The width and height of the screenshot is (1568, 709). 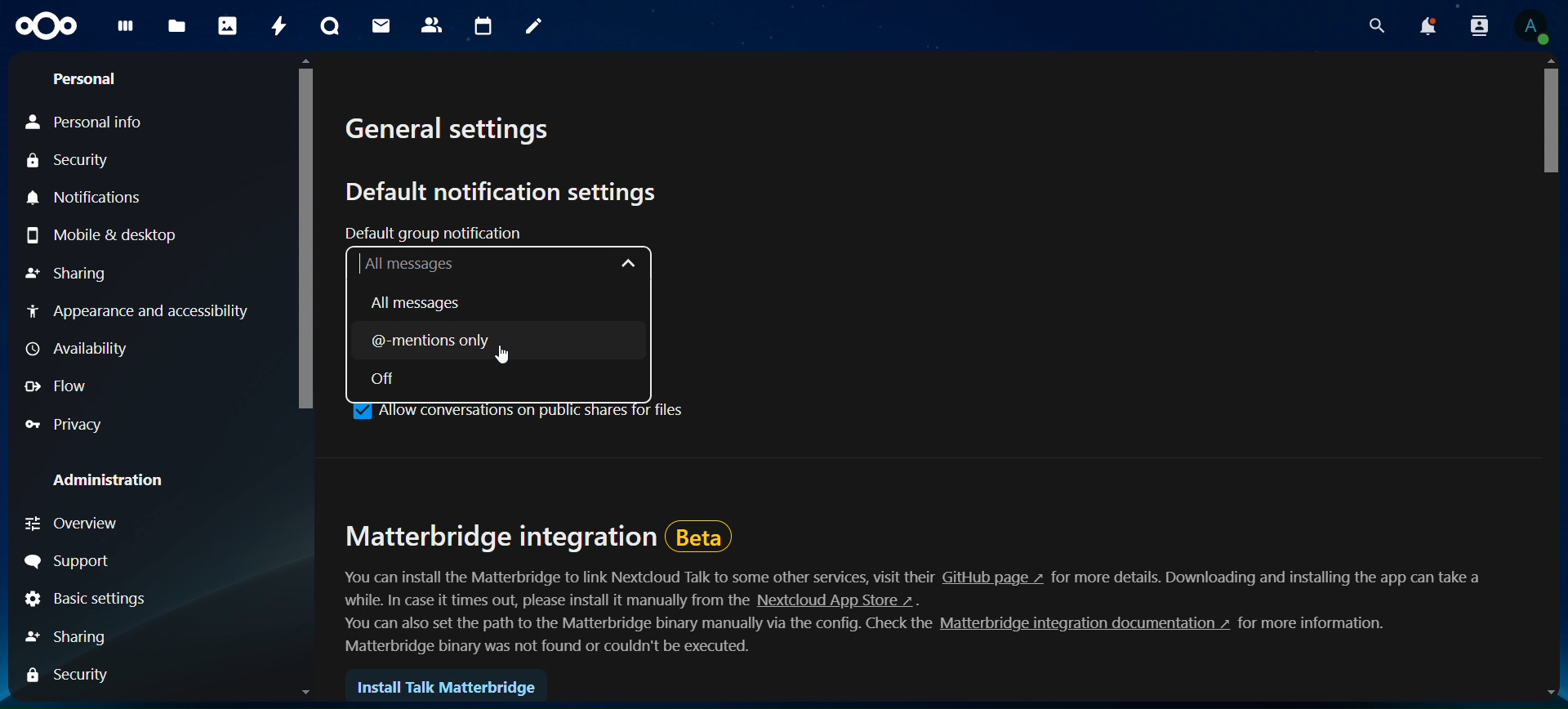 What do you see at coordinates (1535, 25) in the screenshot?
I see `view profile` at bounding box center [1535, 25].